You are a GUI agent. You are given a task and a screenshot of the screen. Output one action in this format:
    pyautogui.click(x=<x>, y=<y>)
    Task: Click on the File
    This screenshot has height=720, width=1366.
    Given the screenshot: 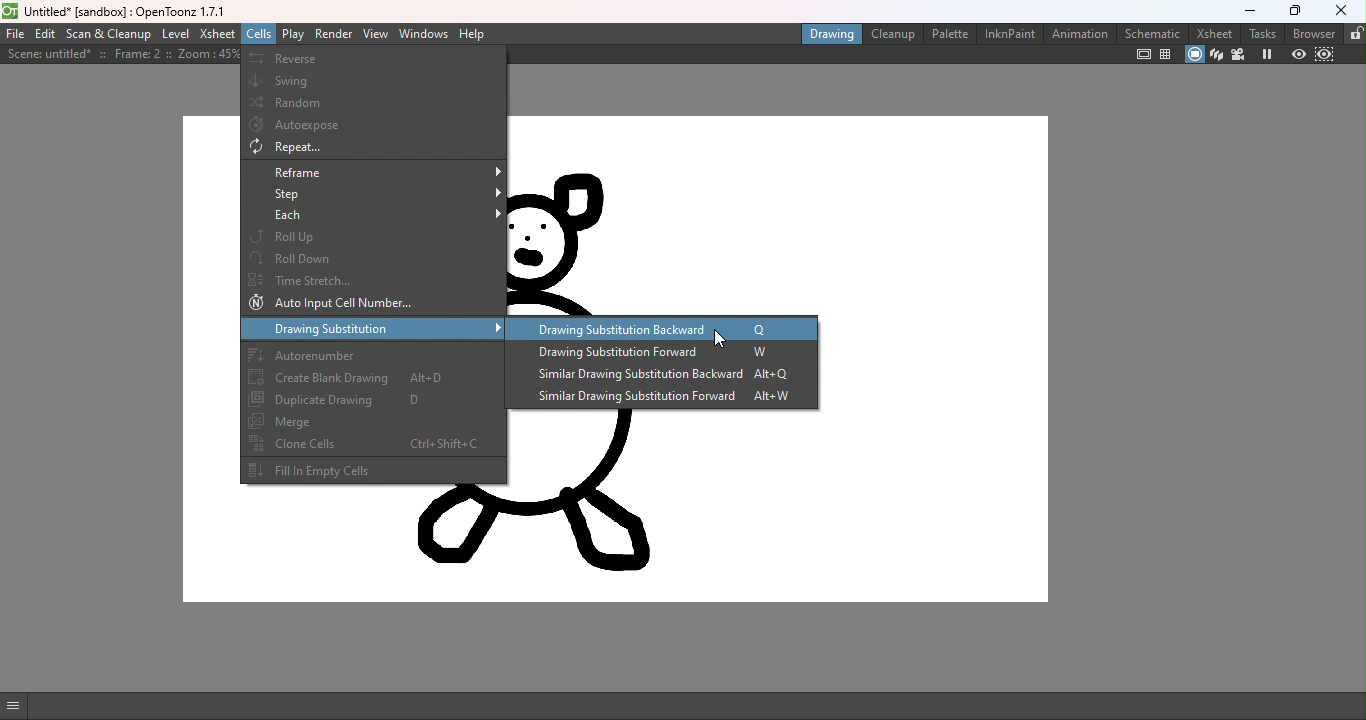 What is the action you would take?
    pyautogui.click(x=13, y=34)
    